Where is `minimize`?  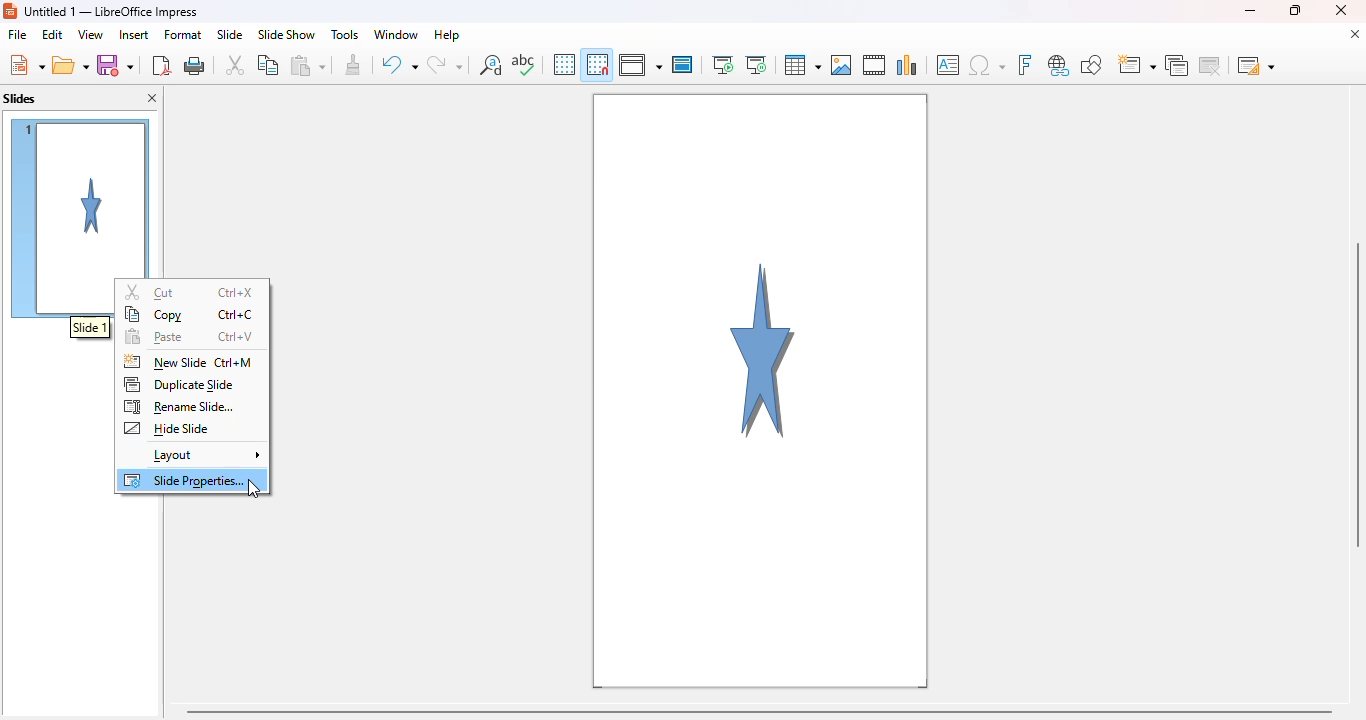 minimize is located at coordinates (1250, 11).